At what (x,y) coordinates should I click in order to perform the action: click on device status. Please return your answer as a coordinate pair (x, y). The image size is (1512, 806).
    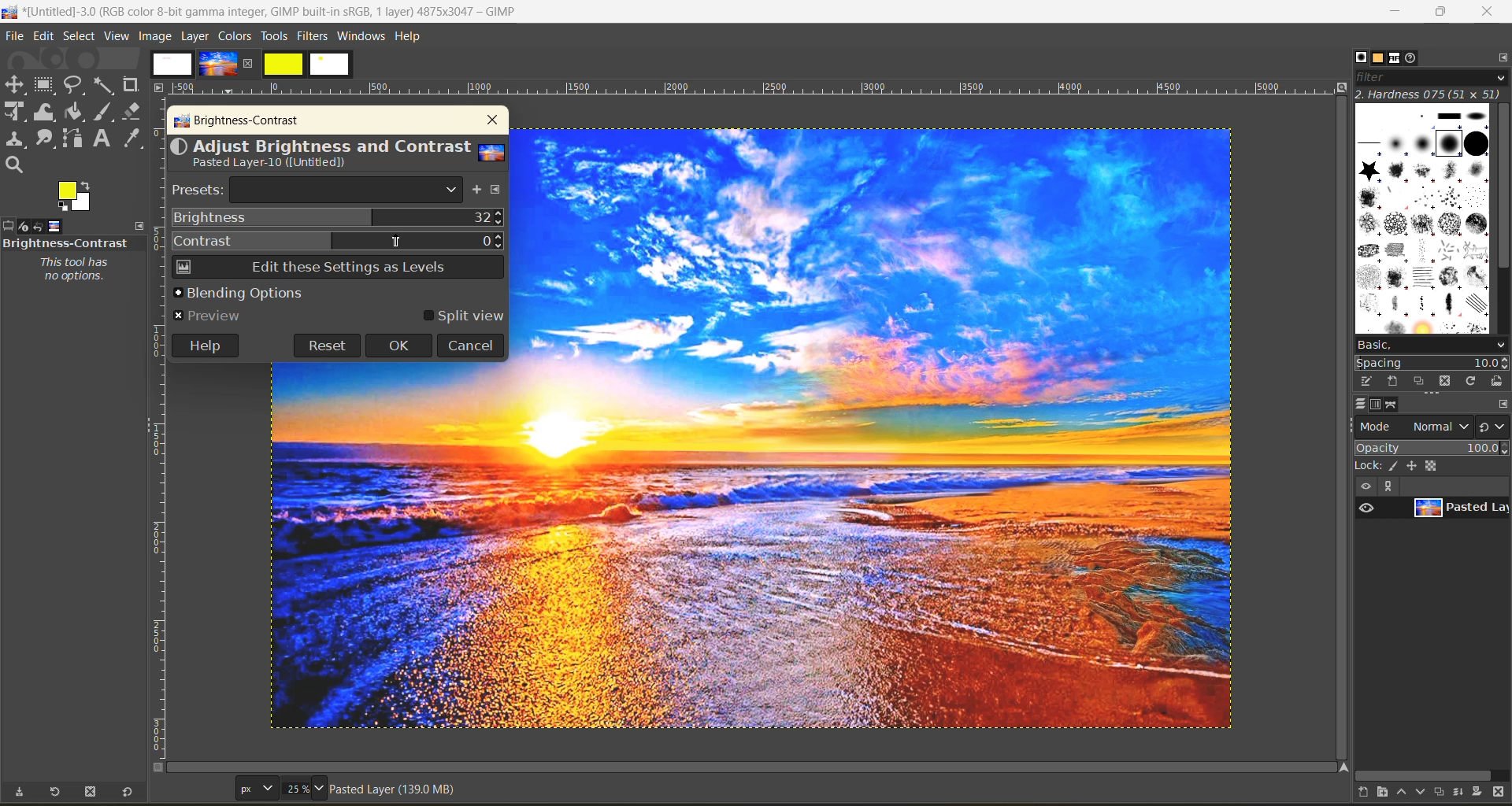
    Looking at the image, I should click on (21, 227).